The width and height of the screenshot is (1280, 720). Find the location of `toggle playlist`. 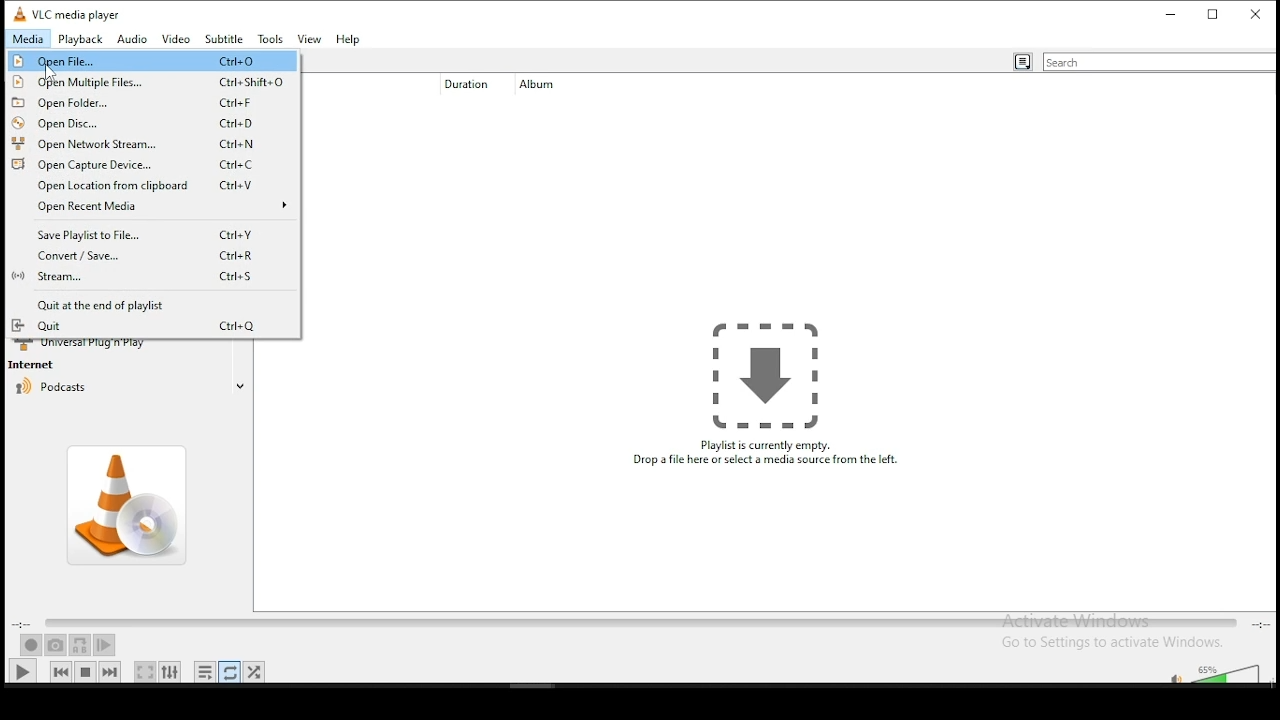

toggle playlist is located at coordinates (204, 672).